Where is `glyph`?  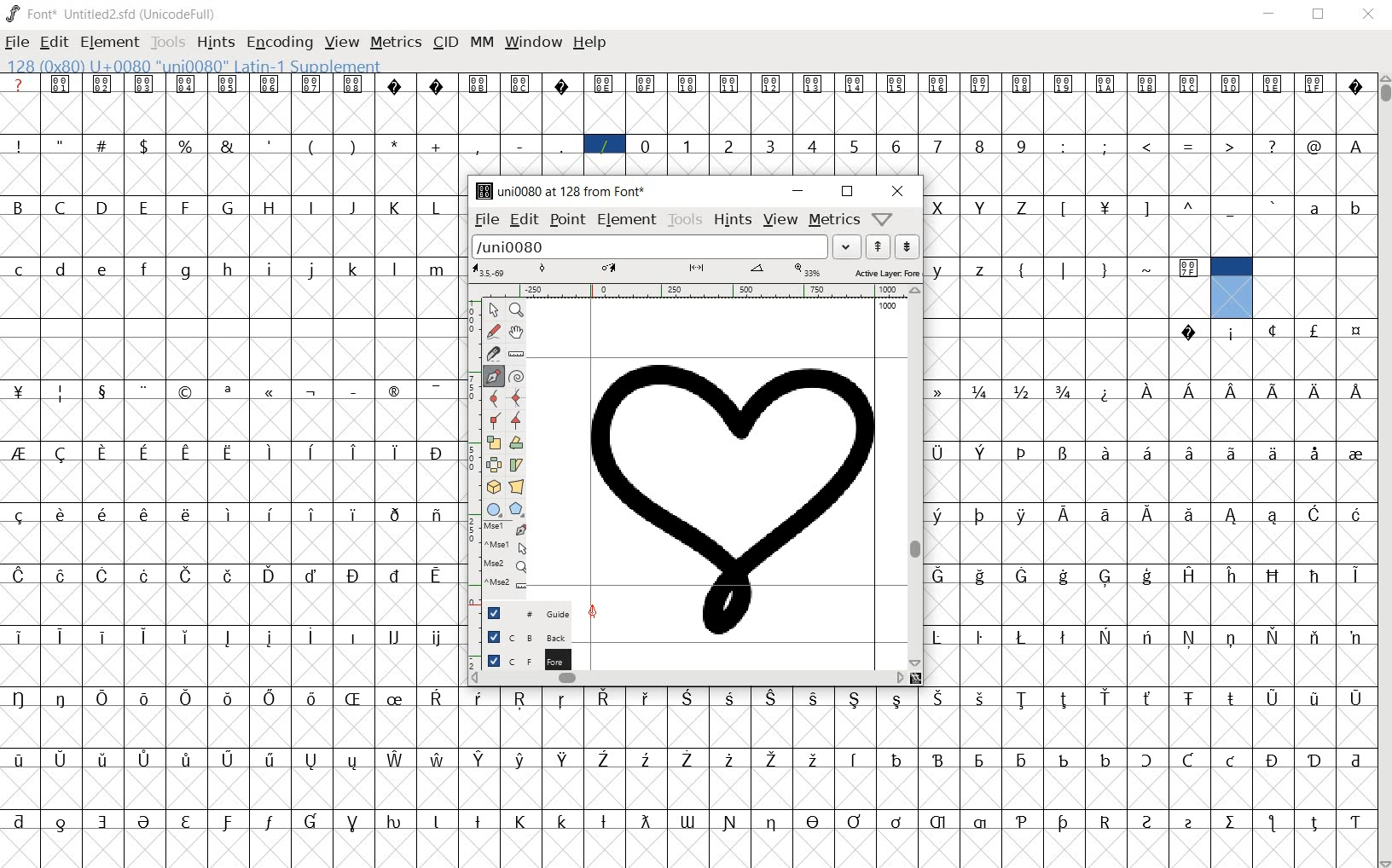 glyph is located at coordinates (187, 759).